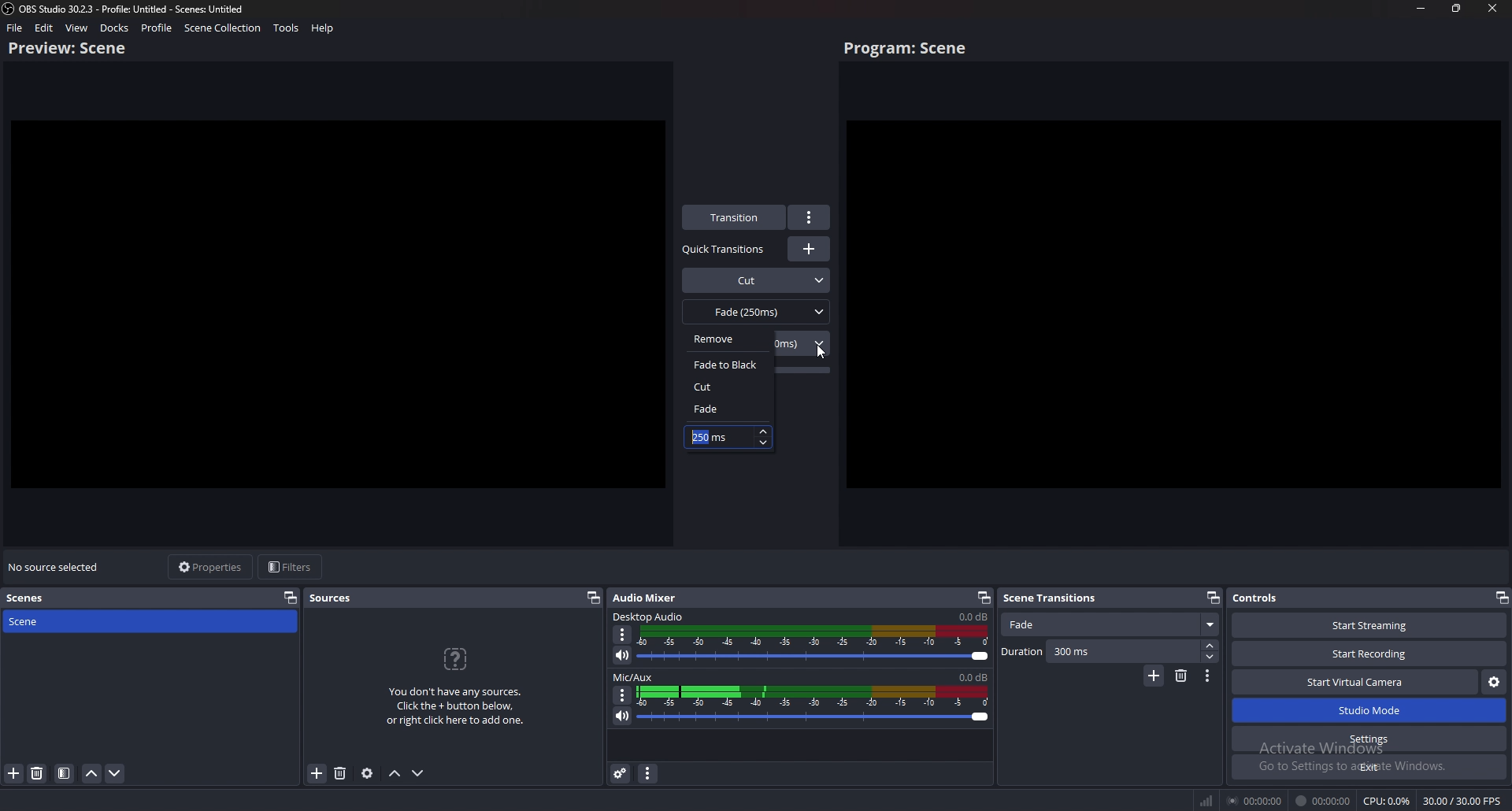  Describe the element at coordinates (29, 598) in the screenshot. I see `scenes` at that location.